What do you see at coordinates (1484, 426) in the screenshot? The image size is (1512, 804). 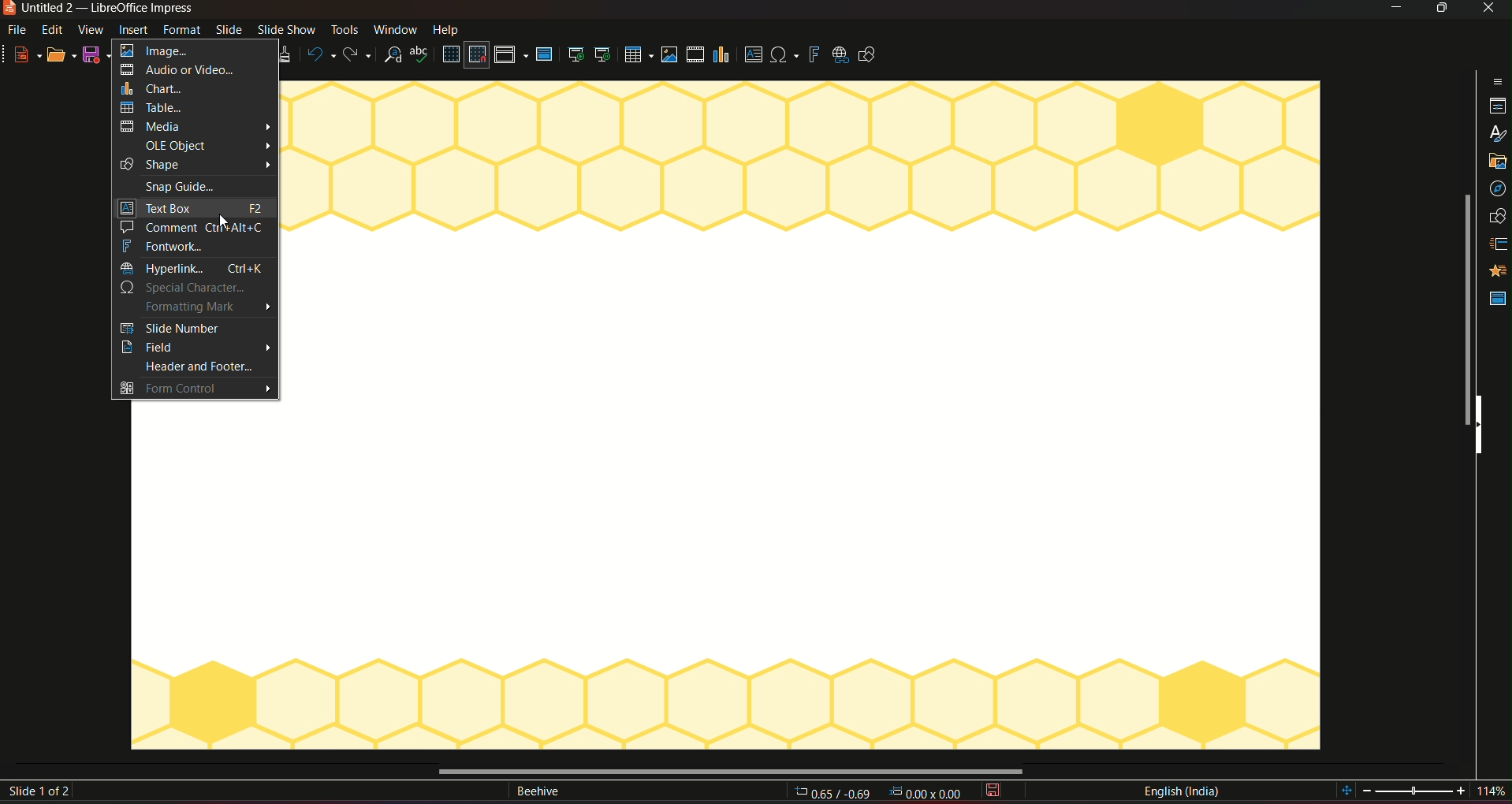 I see `hide sidebar` at bounding box center [1484, 426].